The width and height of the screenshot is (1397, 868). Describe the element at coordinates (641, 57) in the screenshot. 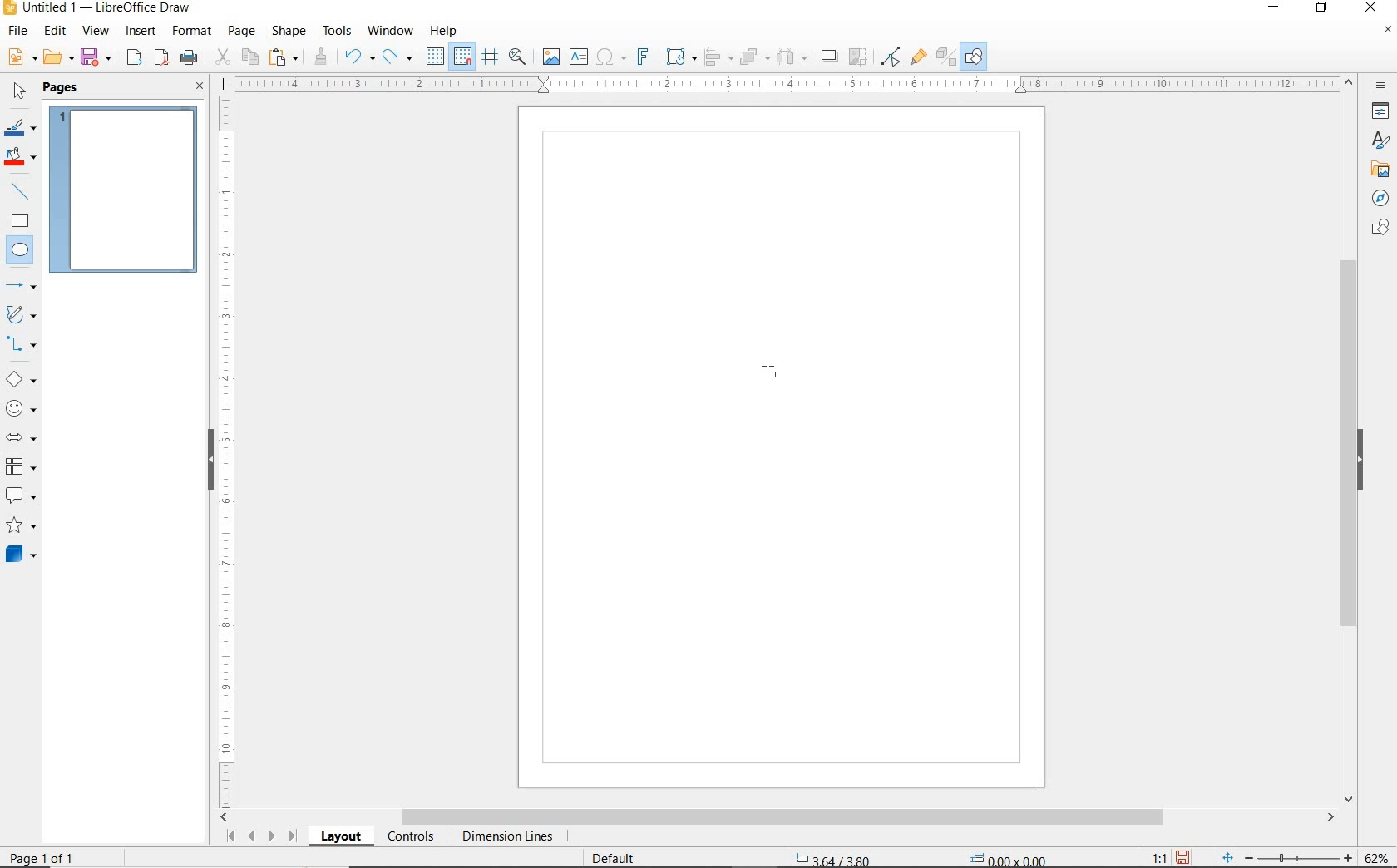

I see `INSERT FONTWORK TEXT` at that location.